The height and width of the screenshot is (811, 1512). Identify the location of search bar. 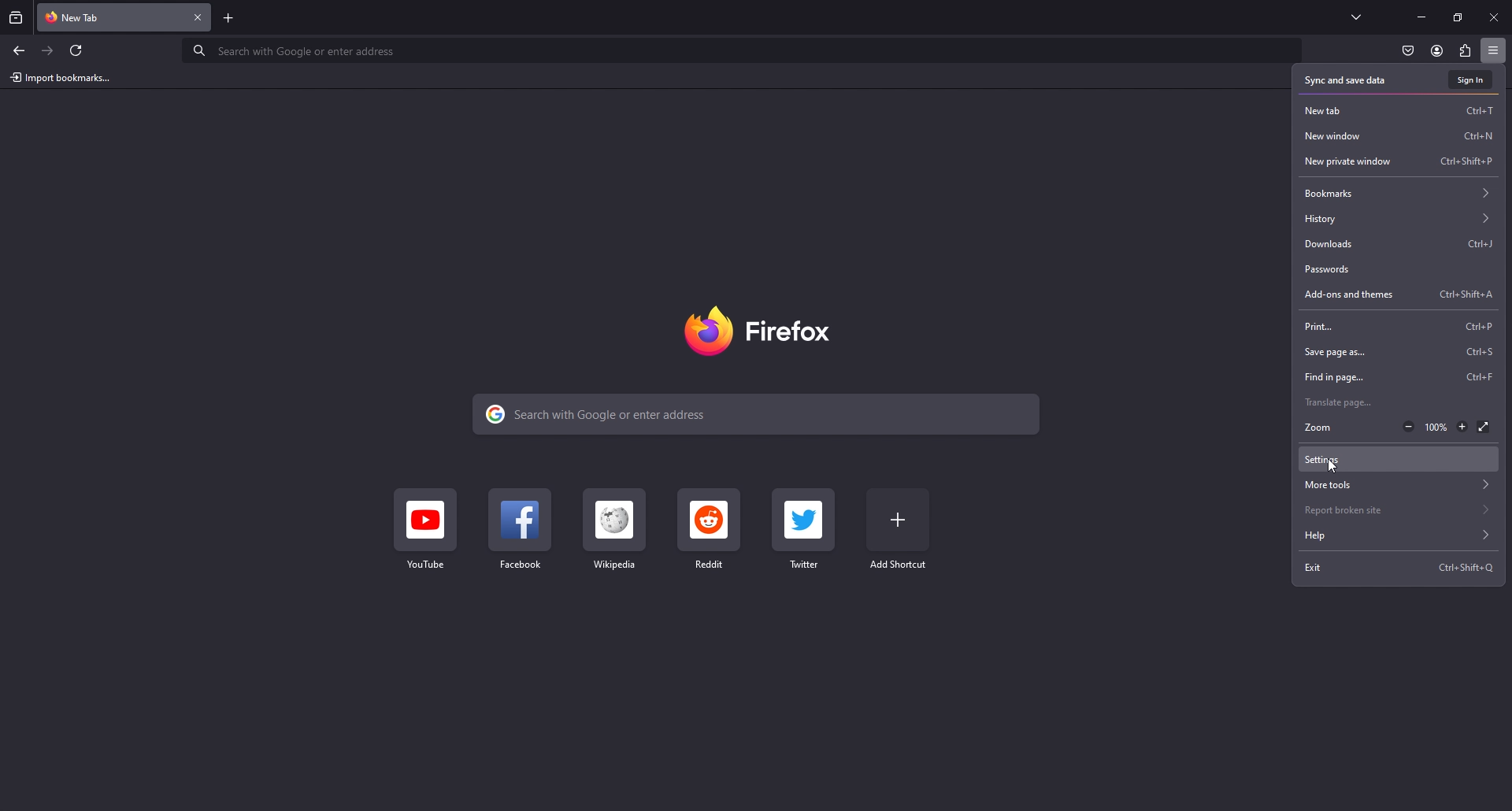
(740, 49).